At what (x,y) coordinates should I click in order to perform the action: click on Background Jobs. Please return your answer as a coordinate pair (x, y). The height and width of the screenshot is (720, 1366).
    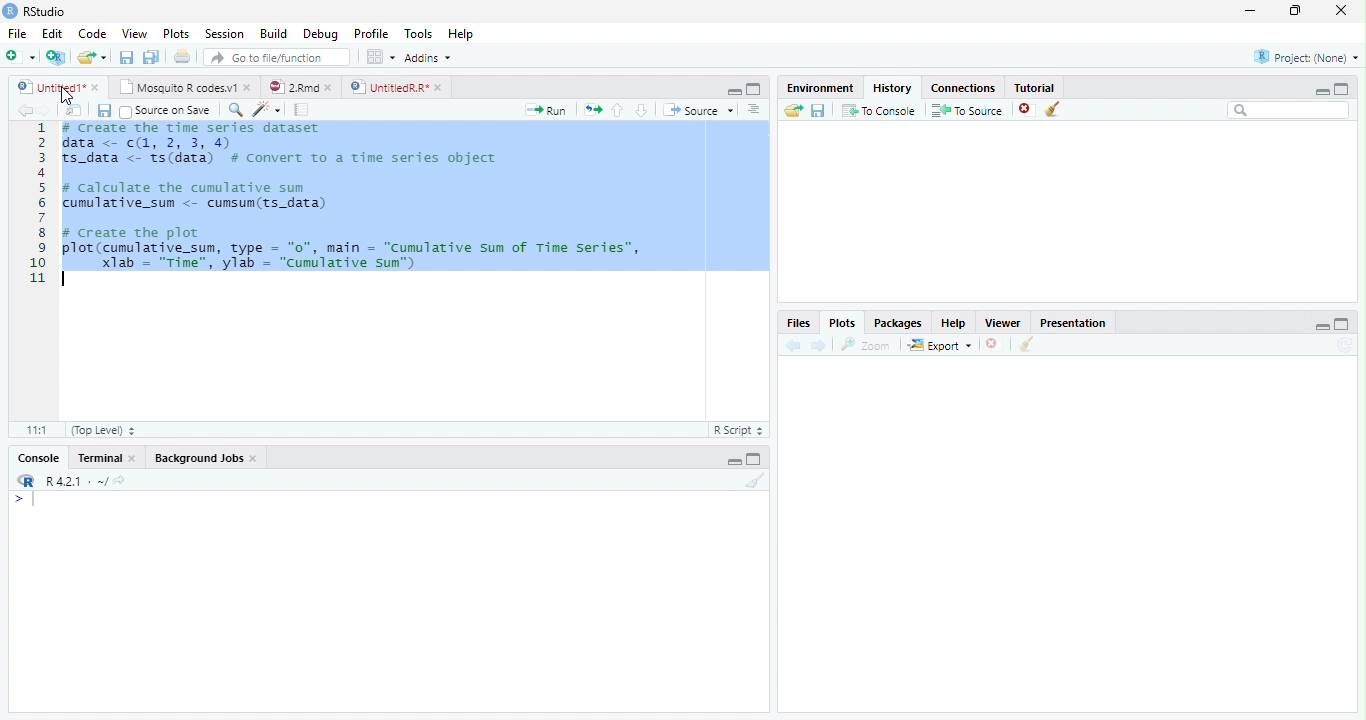
    Looking at the image, I should click on (207, 457).